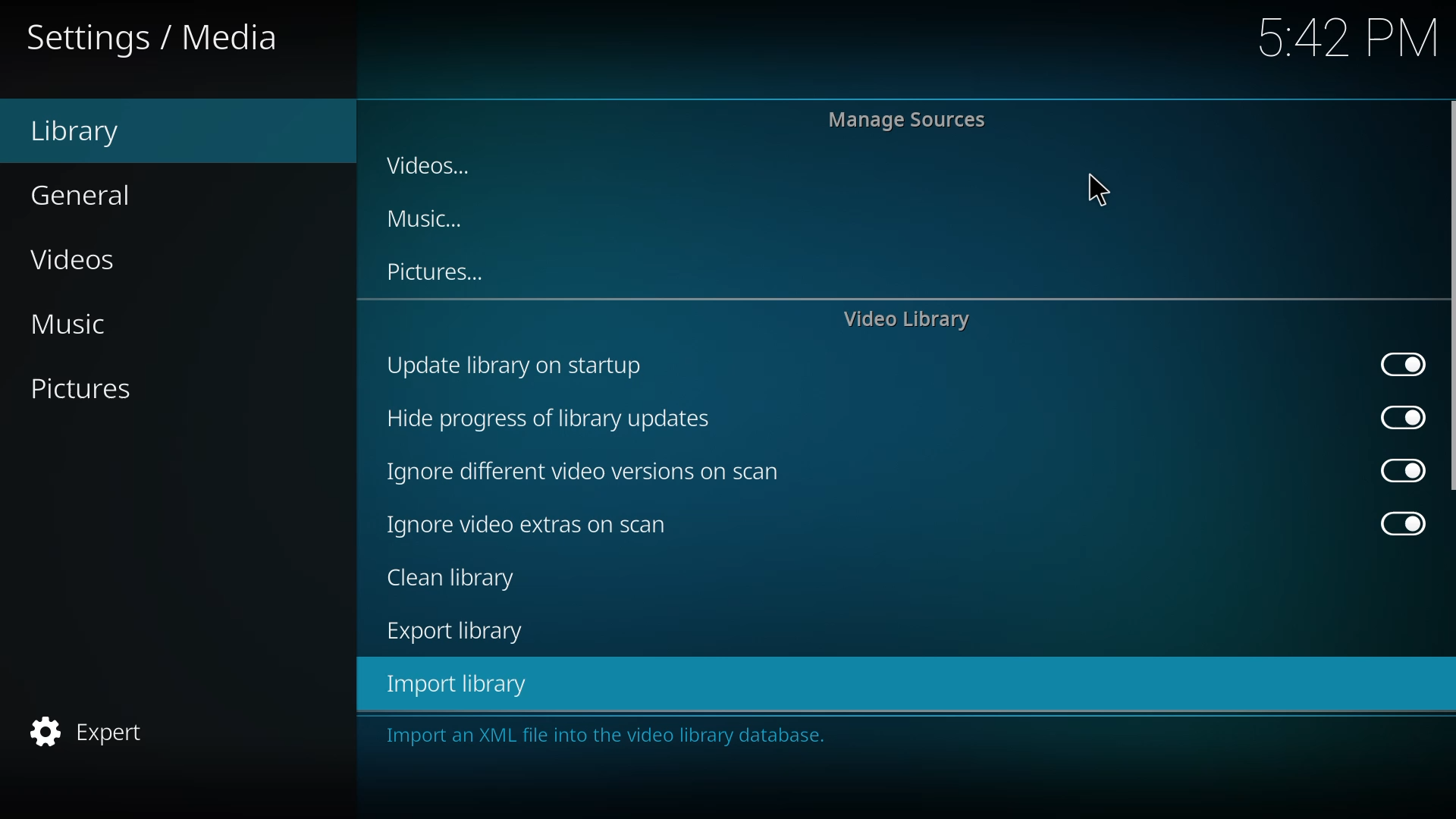 The height and width of the screenshot is (819, 1456). Describe the element at coordinates (1404, 523) in the screenshot. I see `enabled` at that location.